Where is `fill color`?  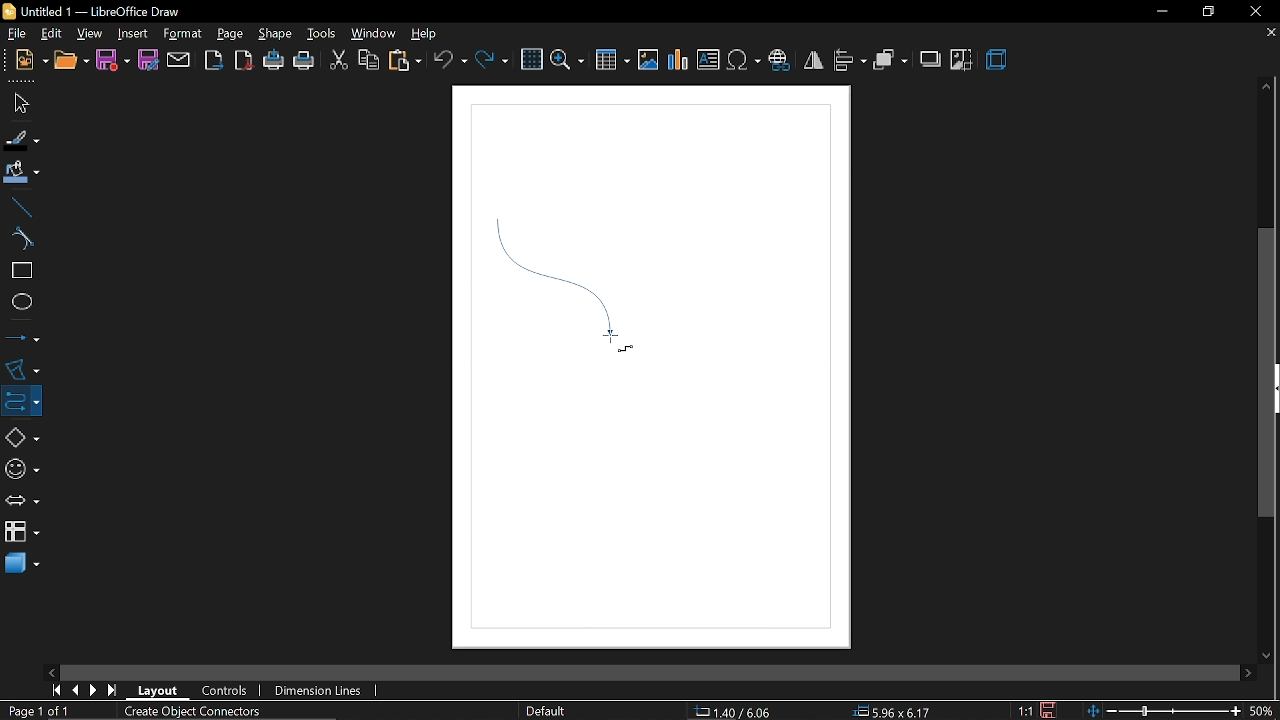 fill color is located at coordinates (22, 173).